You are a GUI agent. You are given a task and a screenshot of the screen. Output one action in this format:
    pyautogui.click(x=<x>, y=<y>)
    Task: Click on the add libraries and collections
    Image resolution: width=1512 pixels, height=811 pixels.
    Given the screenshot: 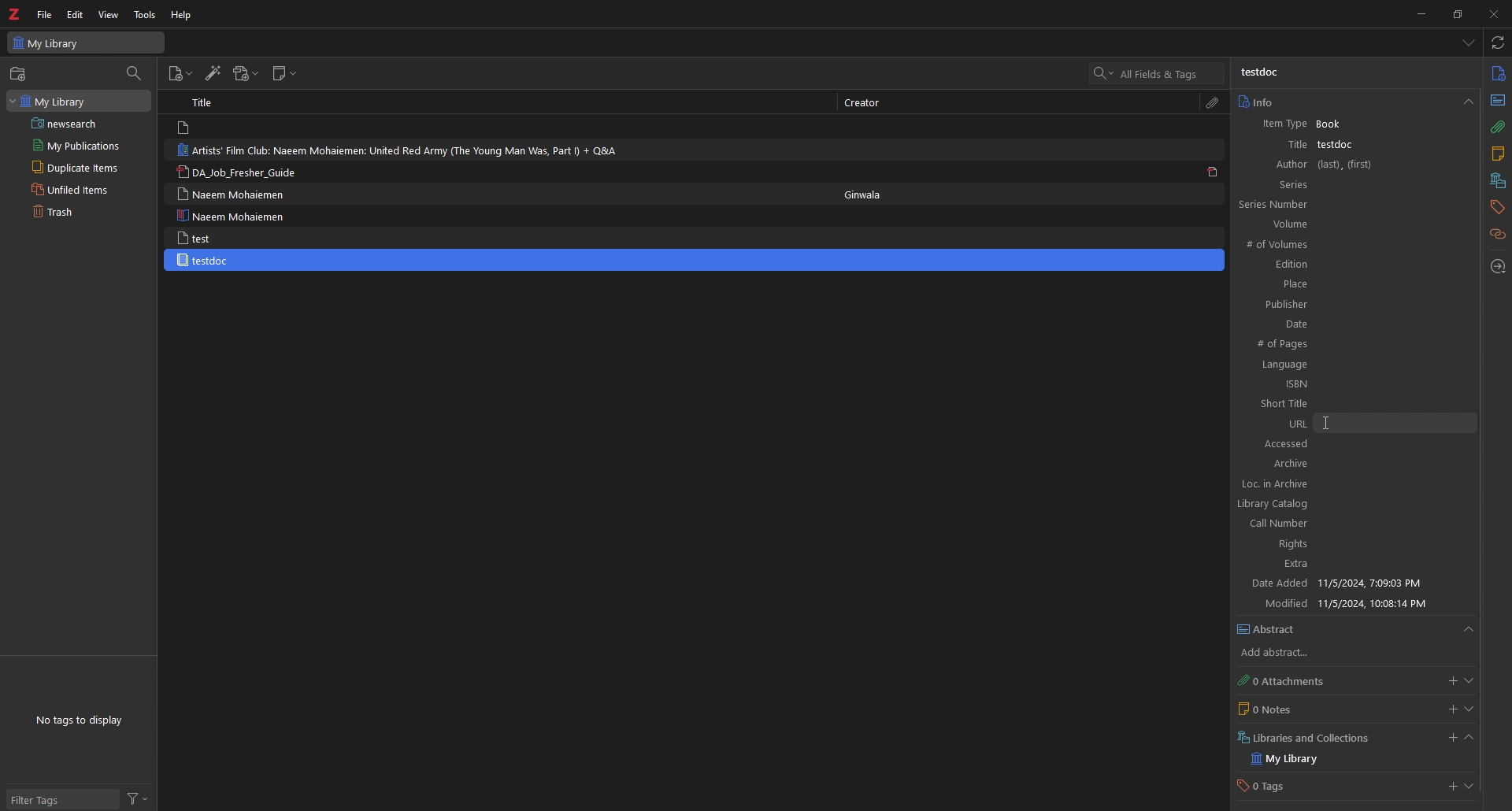 What is the action you would take?
    pyautogui.click(x=1450, y=739)
    